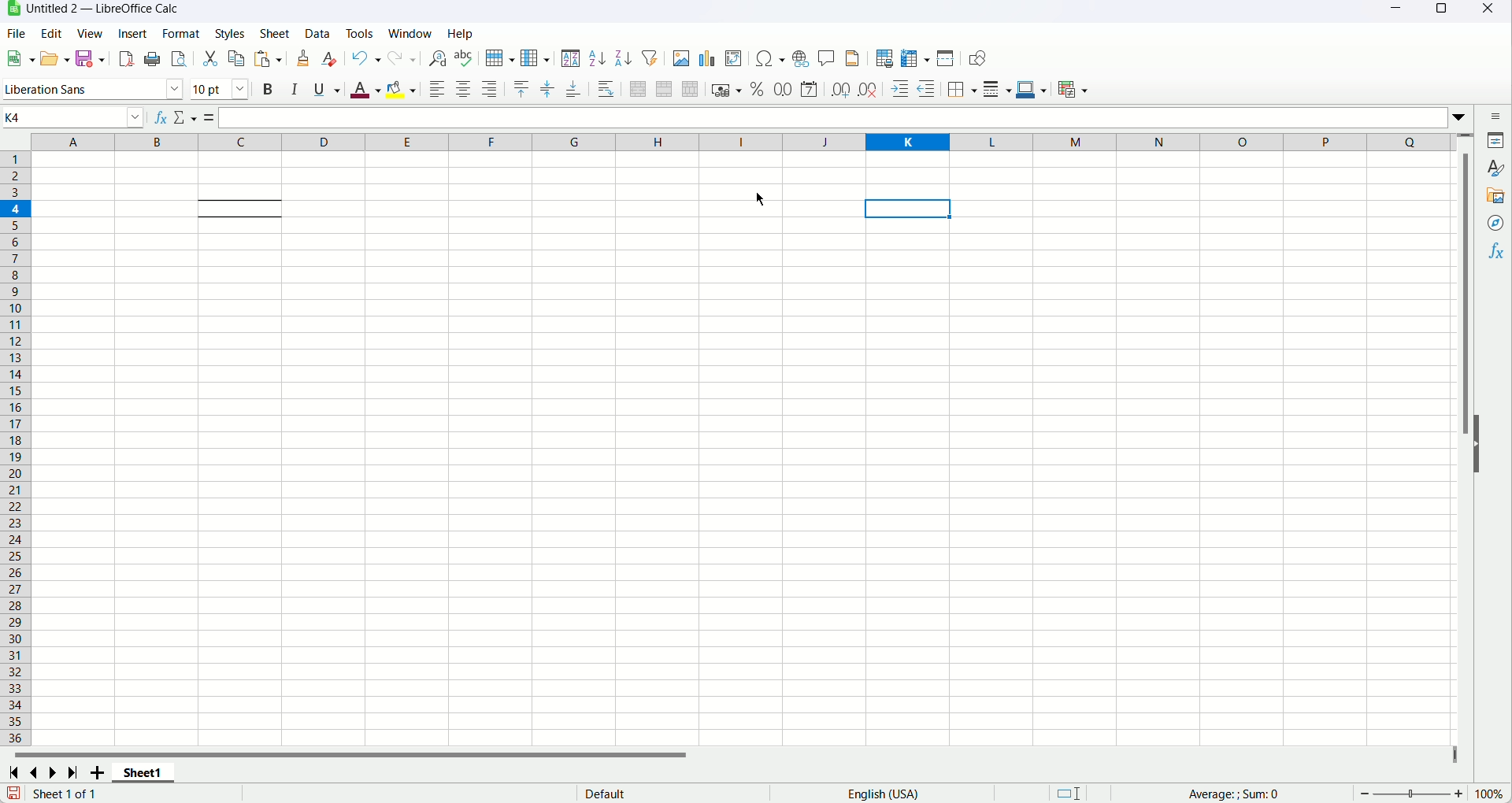 Image resolution: width=1512 pixels, height=803 pixels. I want to click on Insert pivot table, so click(734, 58).